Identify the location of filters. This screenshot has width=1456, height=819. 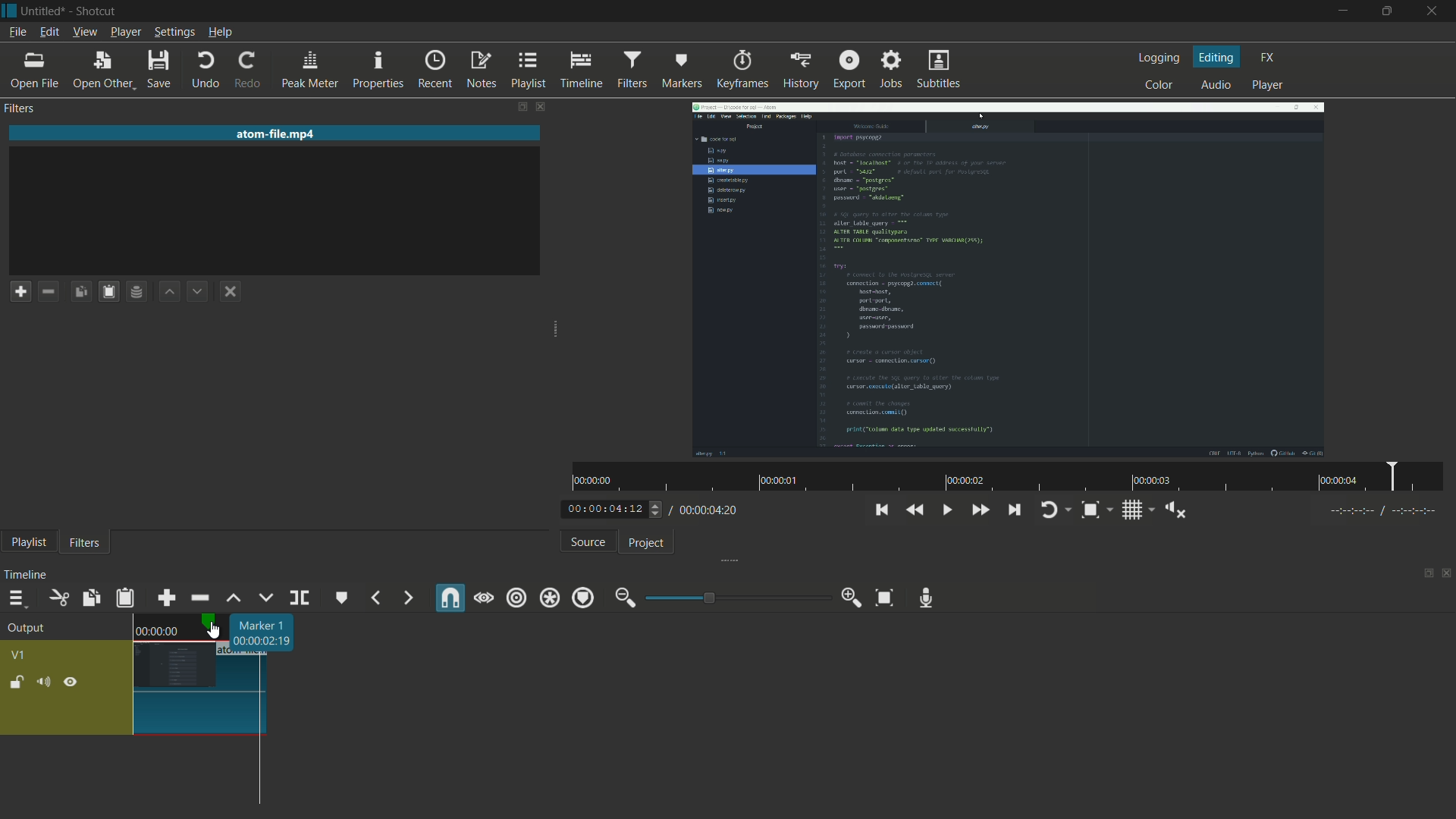
(84, 544).